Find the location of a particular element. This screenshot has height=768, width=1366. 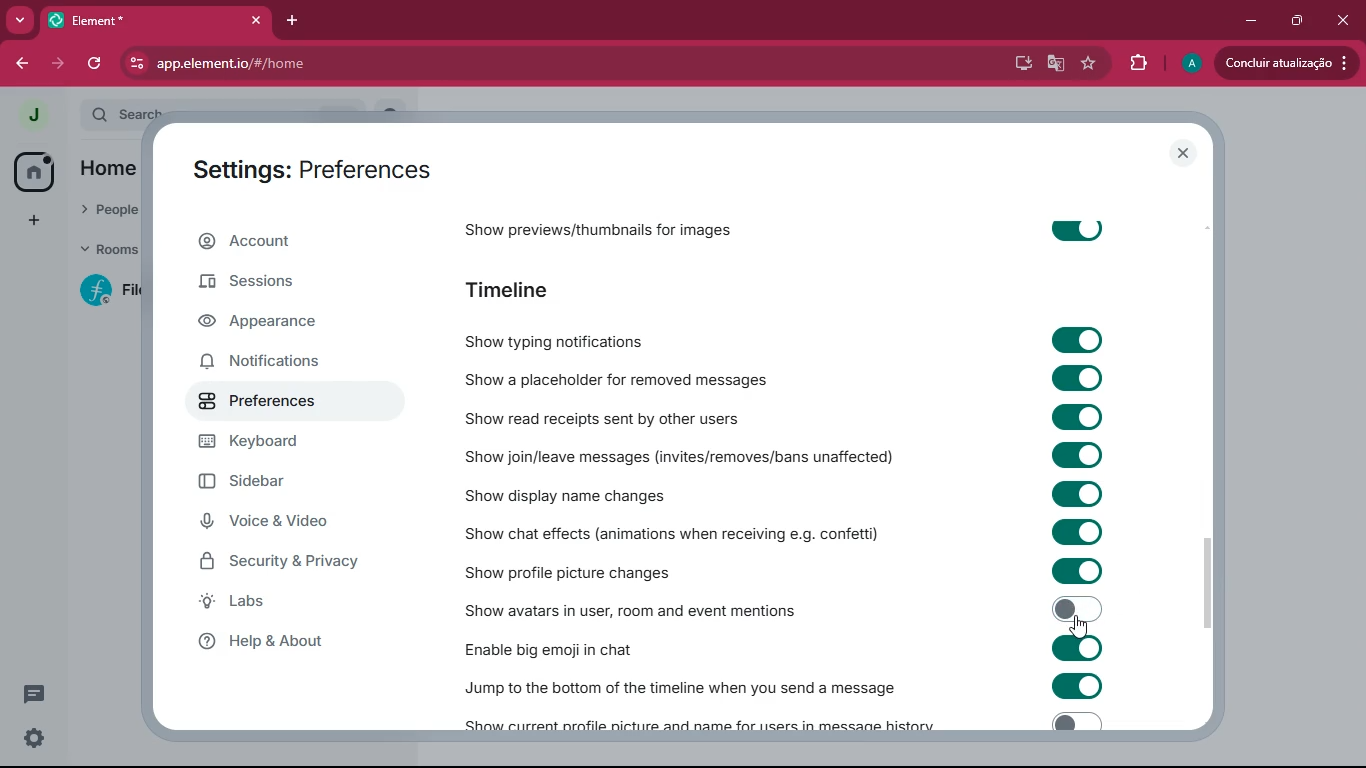

forward is located at coordinates (57, 63).